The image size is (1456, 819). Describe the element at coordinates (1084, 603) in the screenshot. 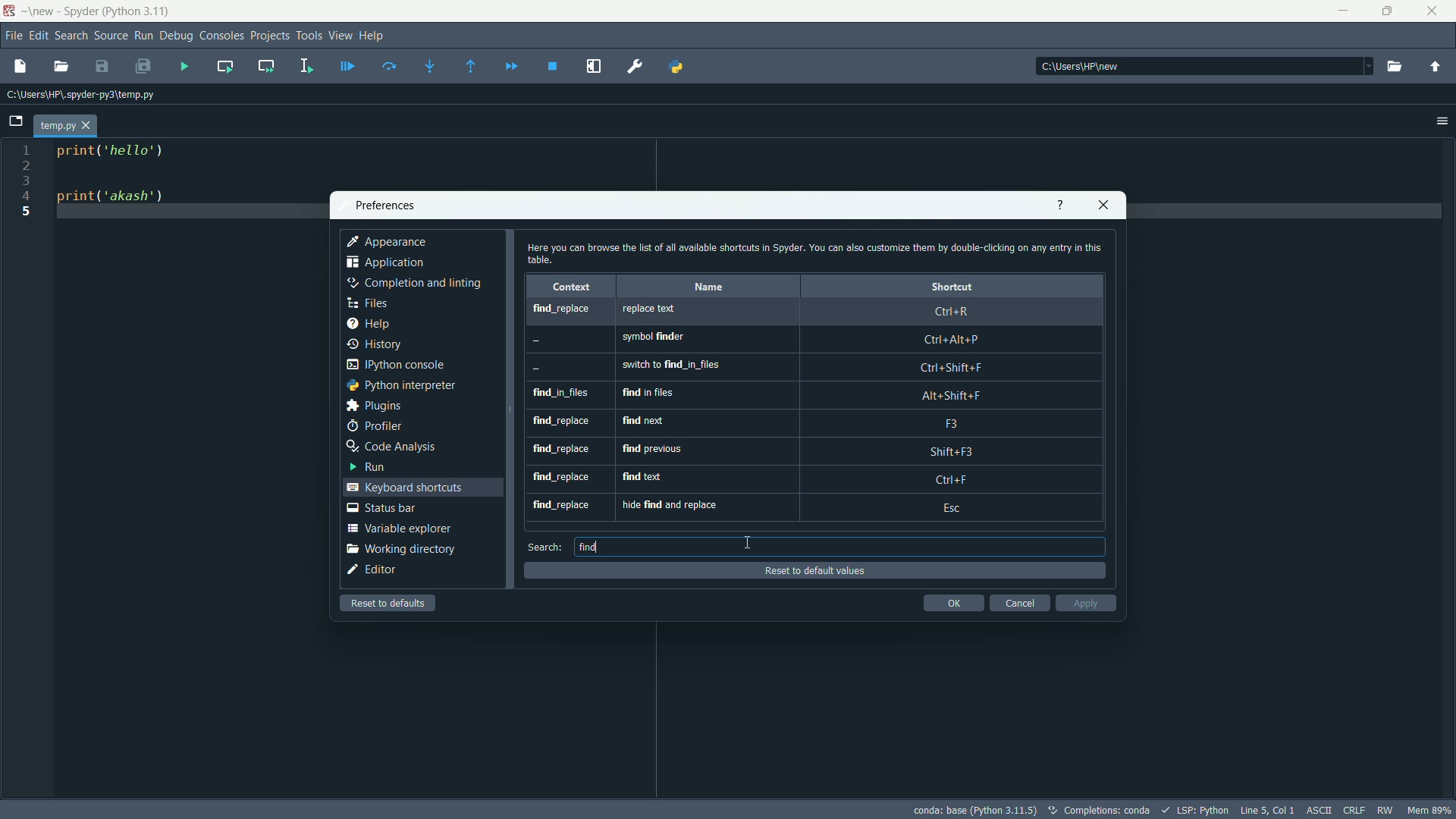

I see `apply` at that location.